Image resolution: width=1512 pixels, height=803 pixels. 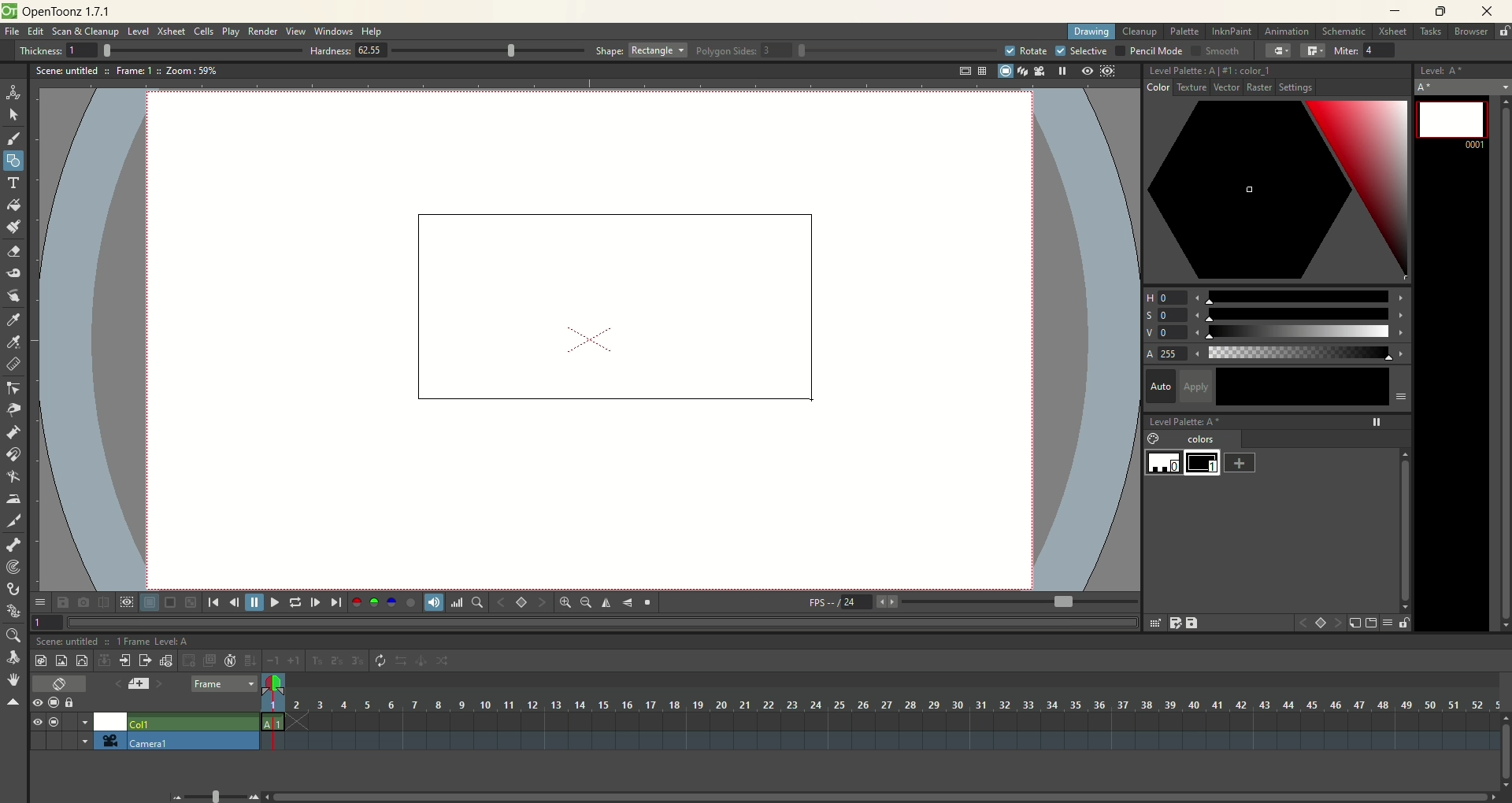 I want to click on rotate, so click(x=1025, y=50).